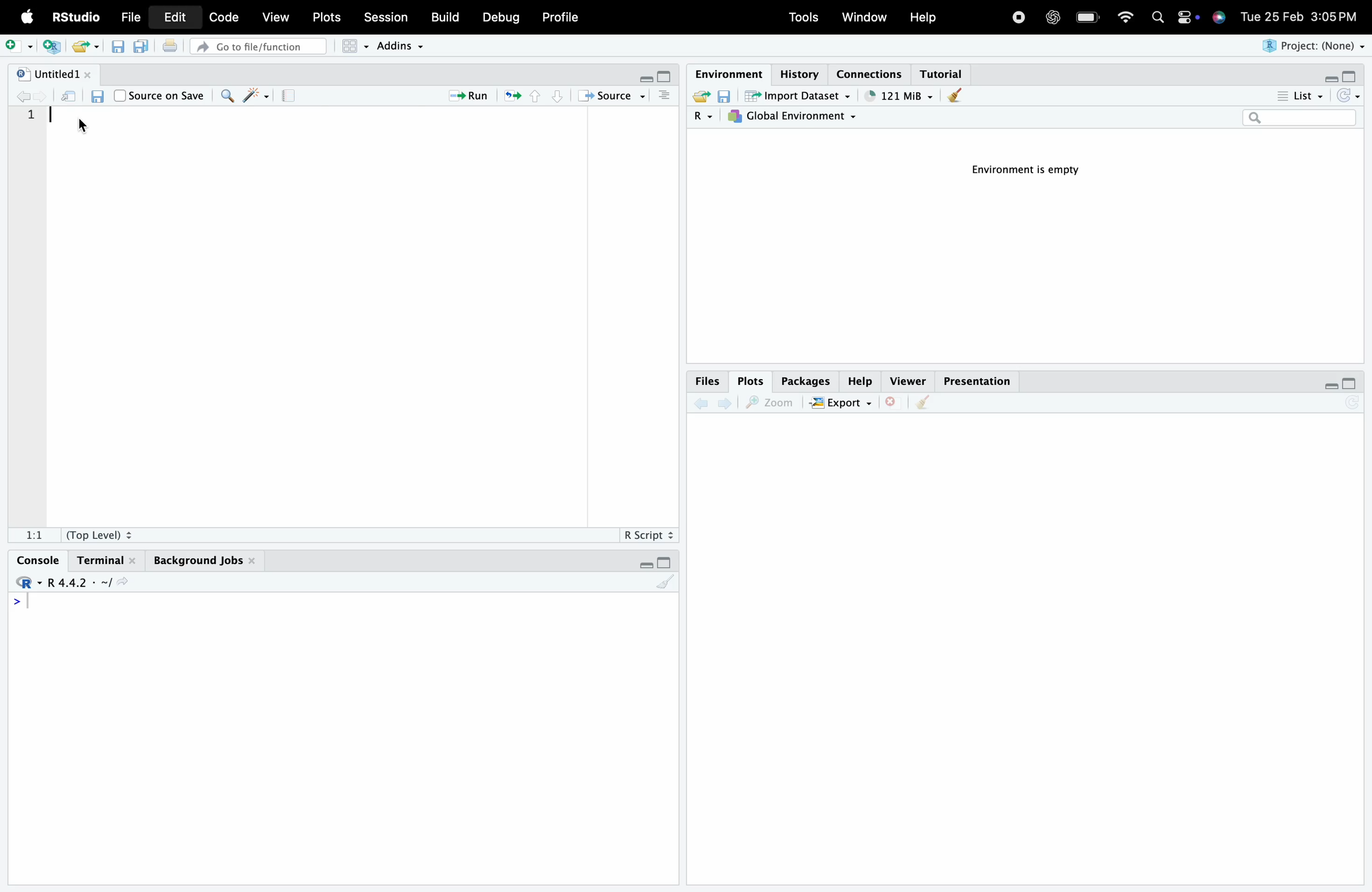  I want to click on Go back to the previous source location (Ctrl + F9), so click(22, 96).